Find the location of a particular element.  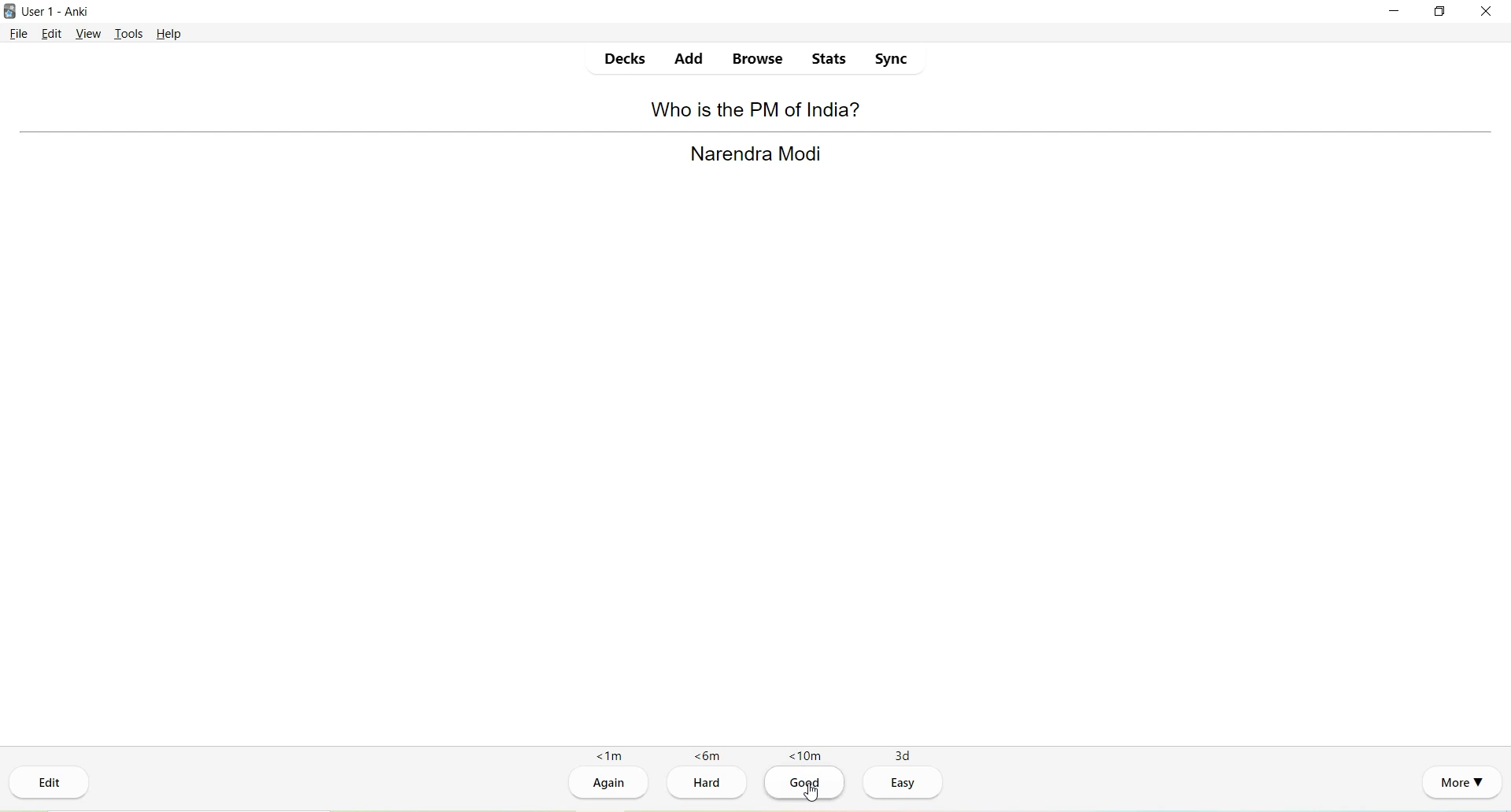

Decks is located at coordinates (629, 61).